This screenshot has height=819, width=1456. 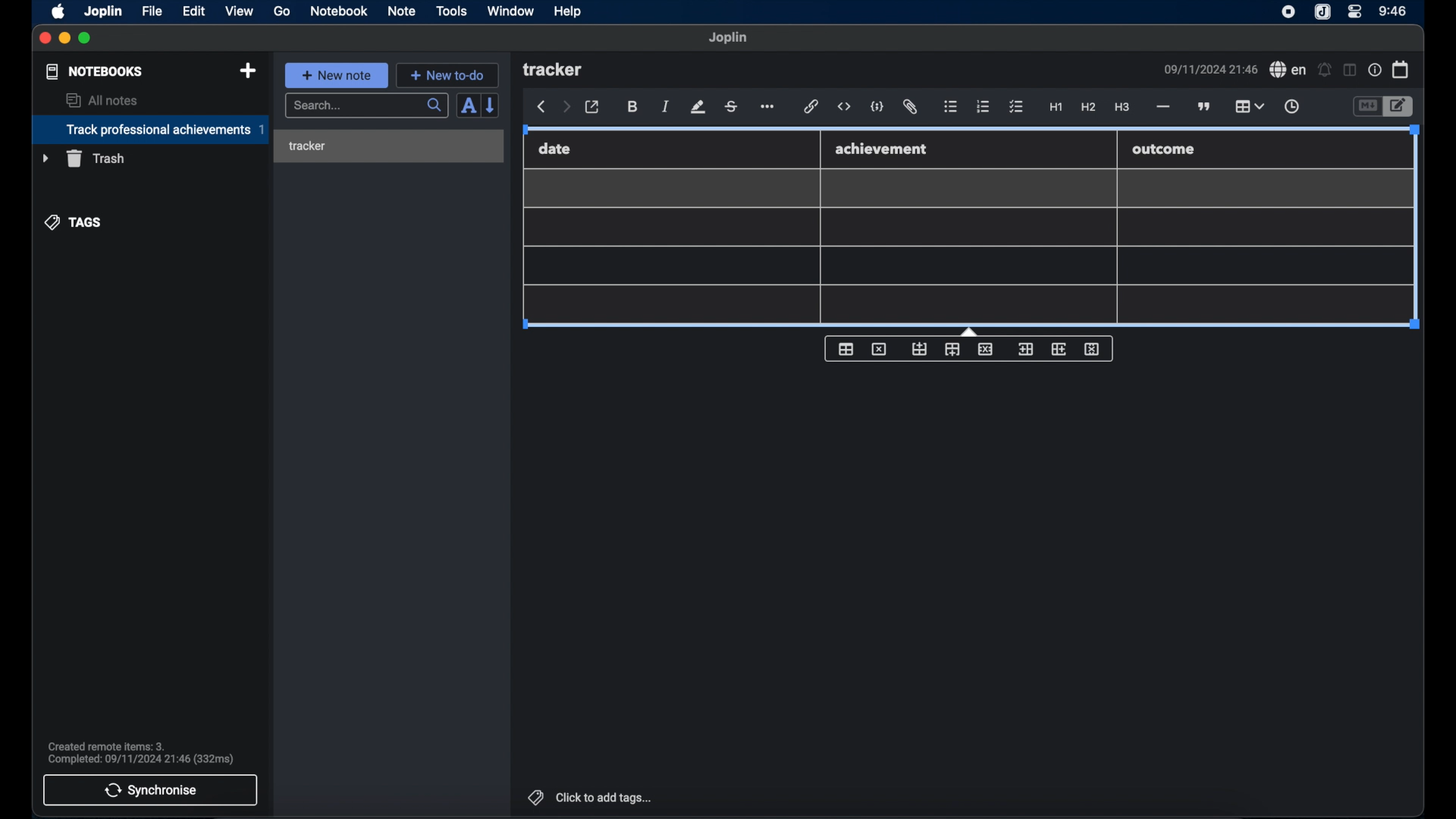 I want to click on forward, so click(x=566, y=108).